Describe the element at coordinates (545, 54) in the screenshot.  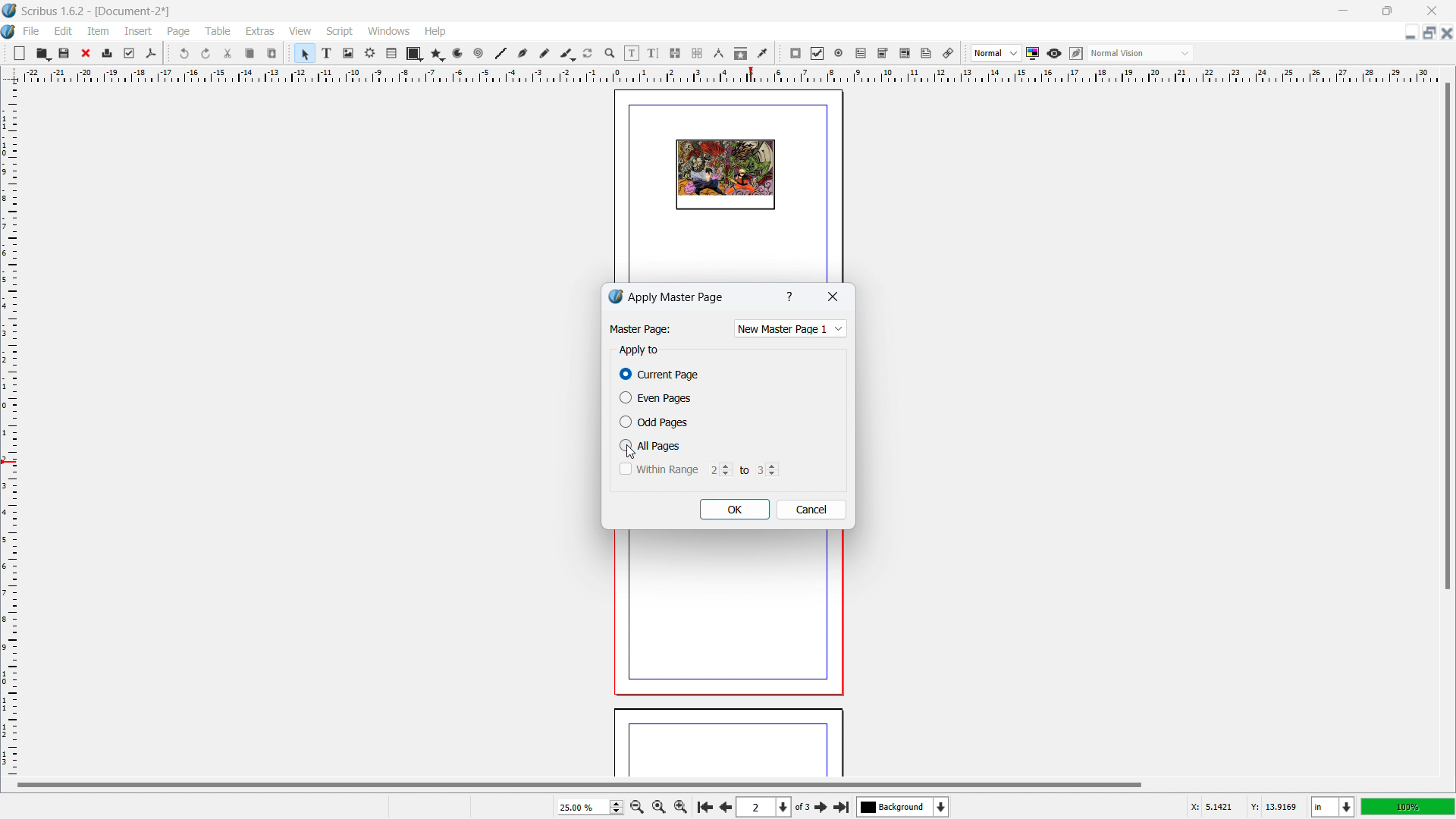
I see `freehand line` at that location.